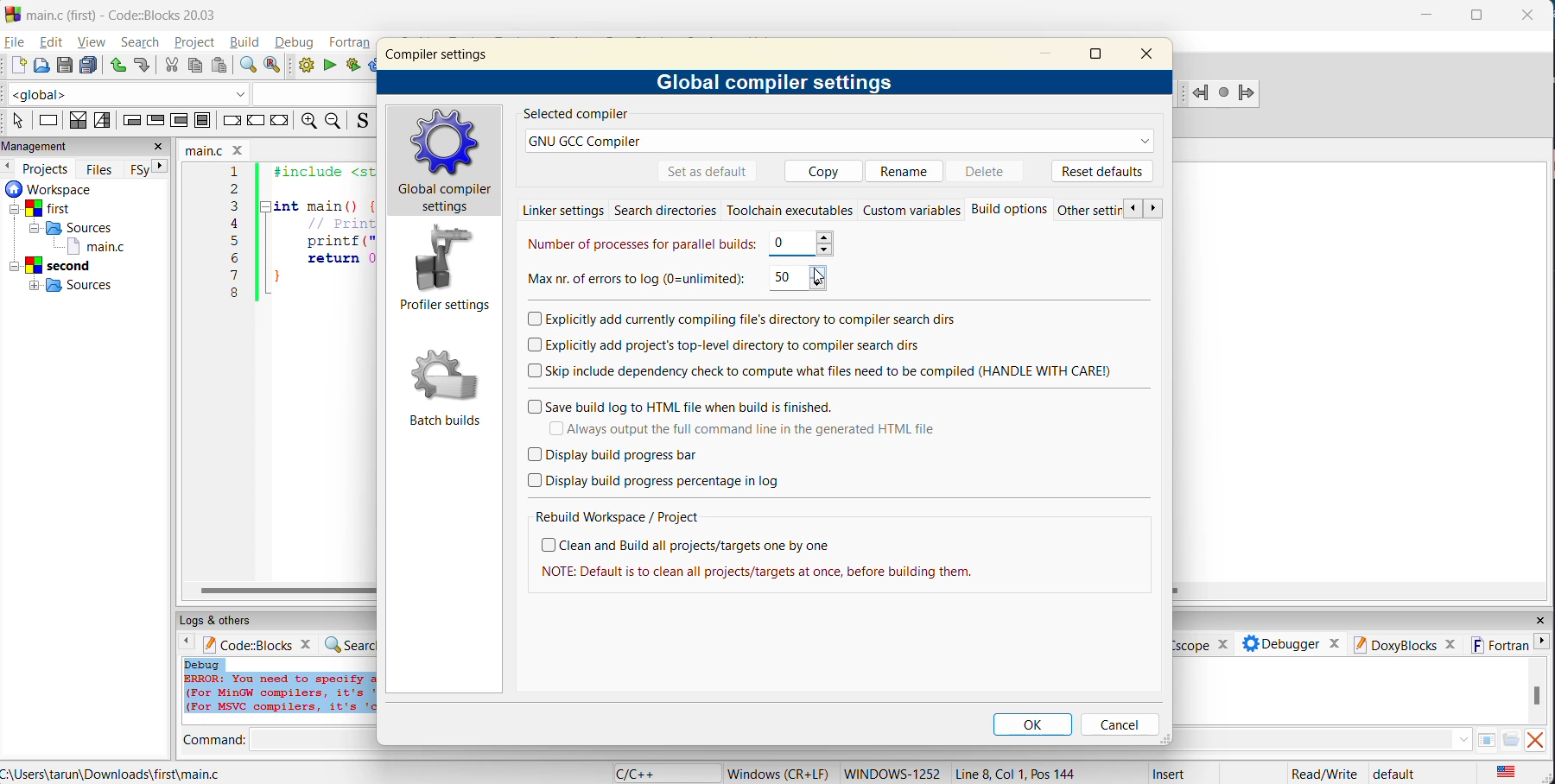  Describe the element at coordinates (274, 67) in the screenshot. I see `replace` at that location.